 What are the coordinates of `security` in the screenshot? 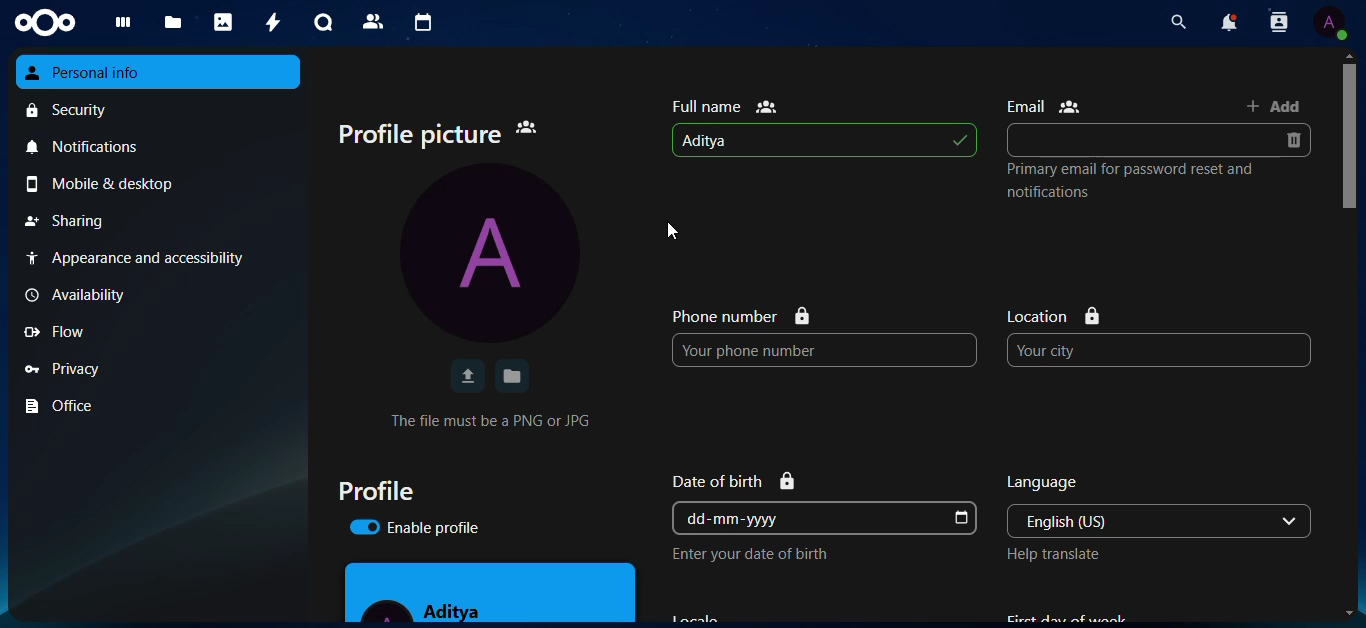 It's located at (161, 109).